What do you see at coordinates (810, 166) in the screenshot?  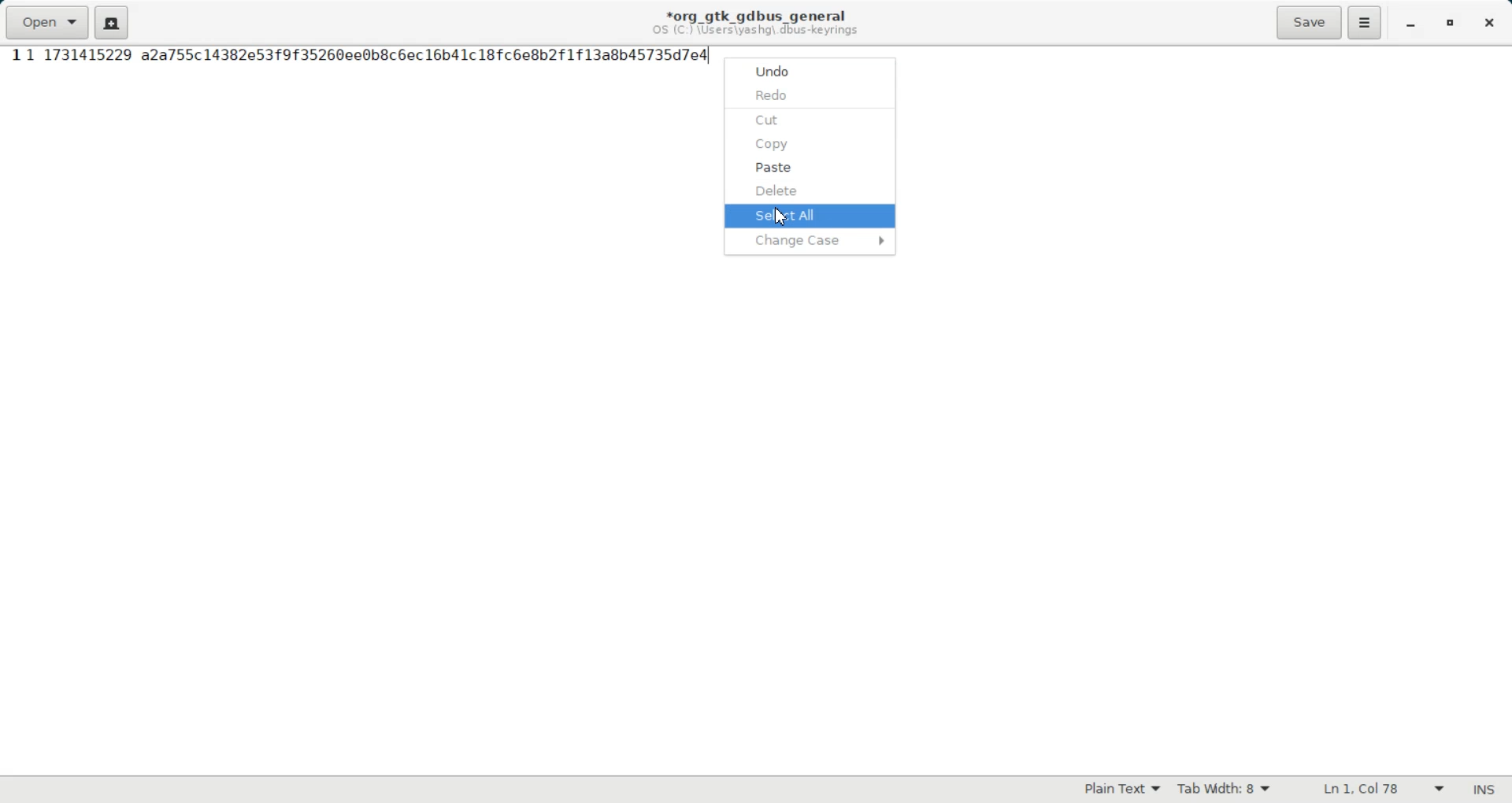 I see `Paste` at bounding box center [810, 166].